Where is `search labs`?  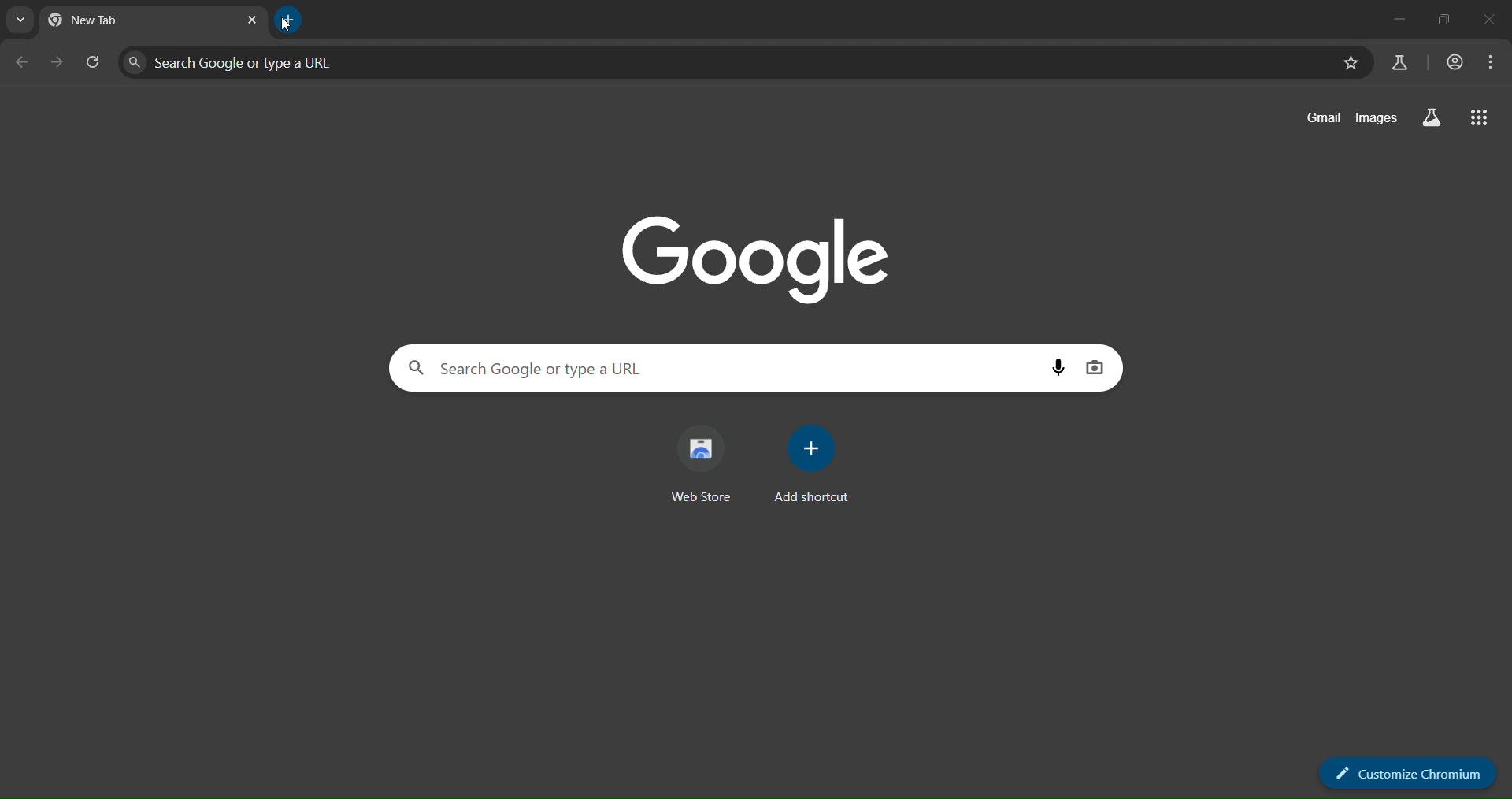
search labs is located at coordinates (1431, 119).